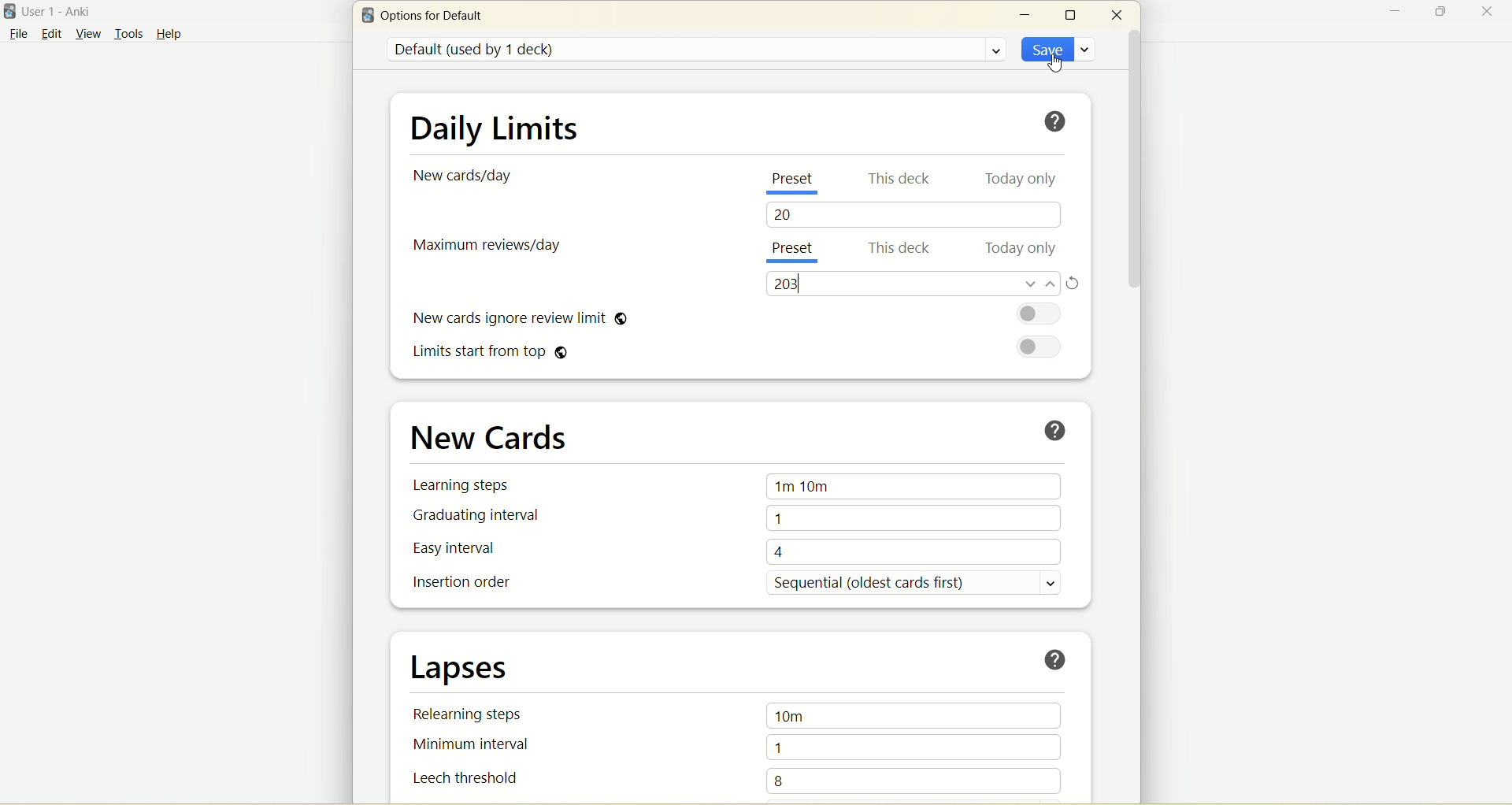 This screenshot has width=1512, height=805. Describe the element at coordinates (65, 12) in the screenshot. I see `User1-Anki` at that location.